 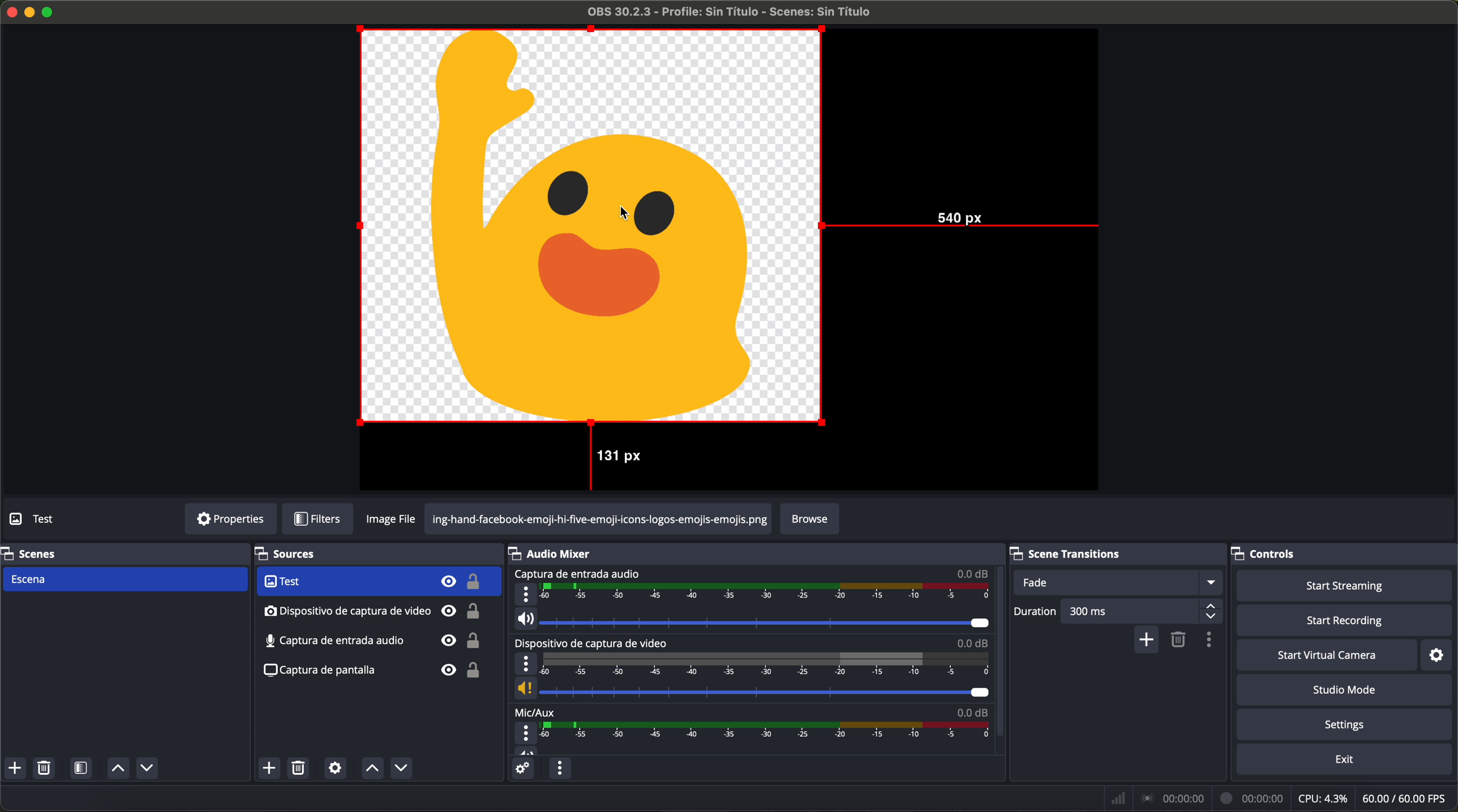 I want to click on video capture device, so click(x=595, y=643).